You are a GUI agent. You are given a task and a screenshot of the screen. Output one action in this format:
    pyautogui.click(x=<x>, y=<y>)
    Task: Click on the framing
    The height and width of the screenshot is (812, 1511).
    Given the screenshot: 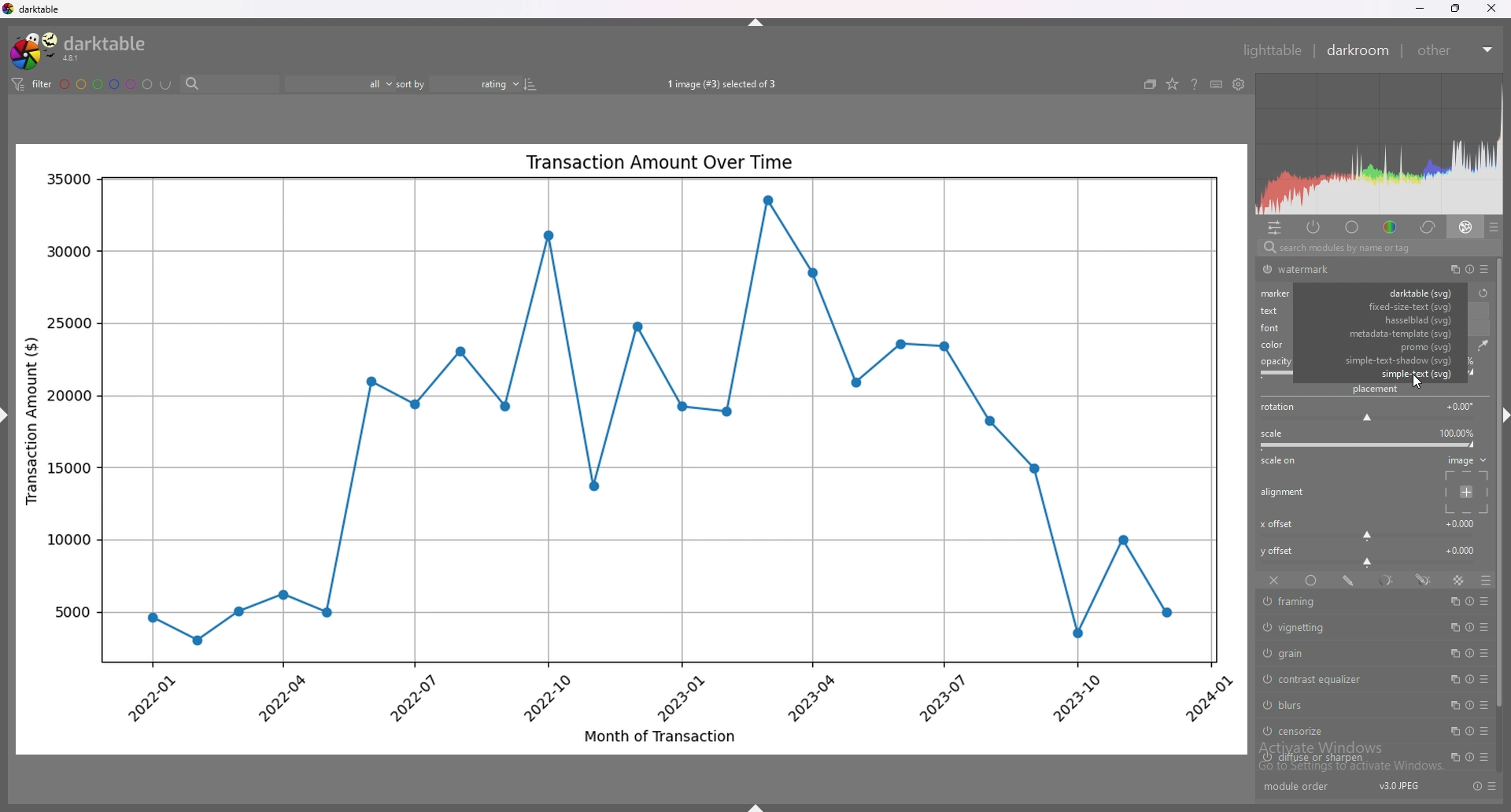 What is the action you would take?
    pyautogui.click(x=1346, y=602)
    